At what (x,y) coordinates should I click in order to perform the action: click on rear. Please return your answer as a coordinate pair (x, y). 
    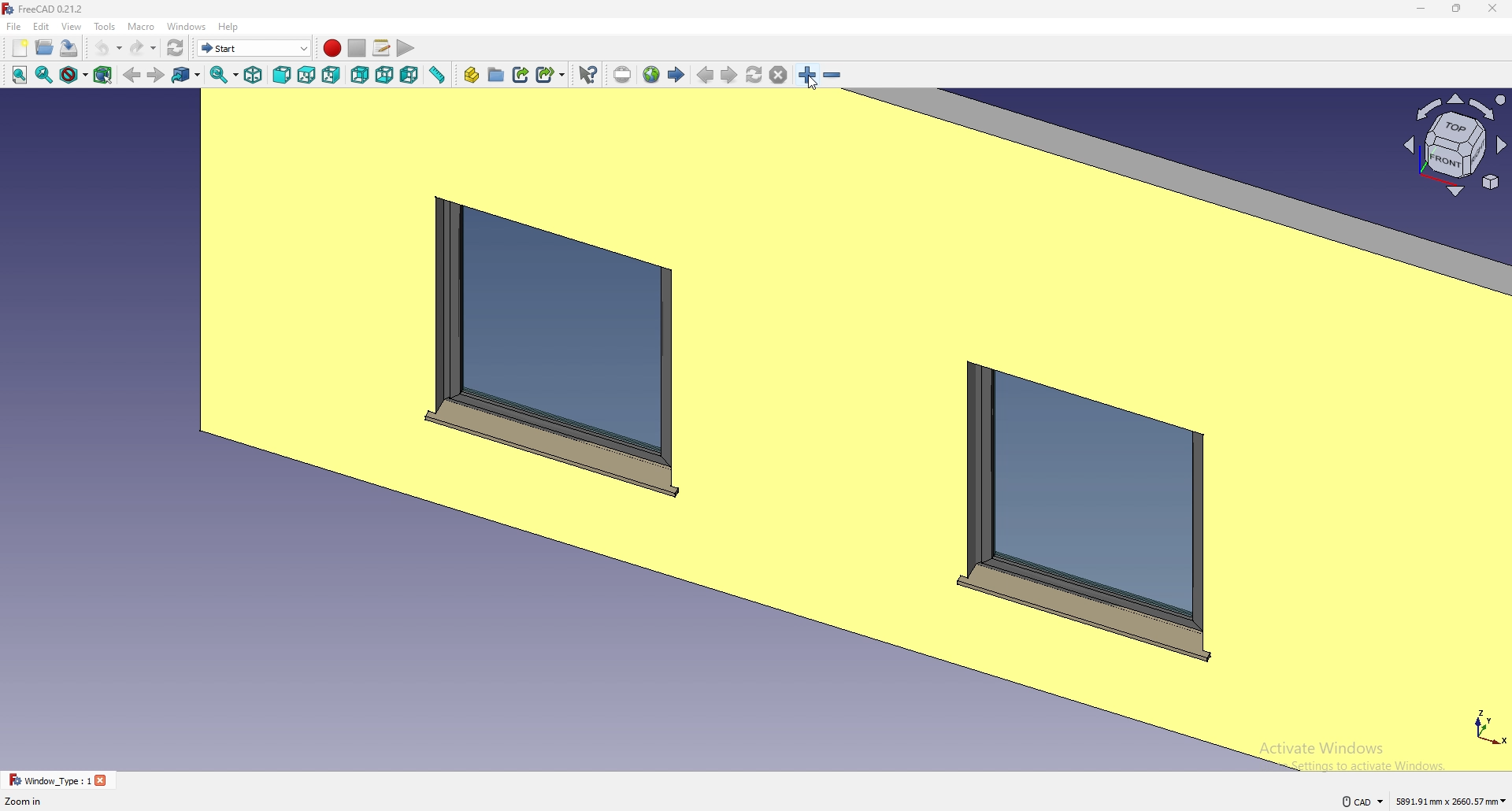
    Looking at the image, I should click on (359, 76).